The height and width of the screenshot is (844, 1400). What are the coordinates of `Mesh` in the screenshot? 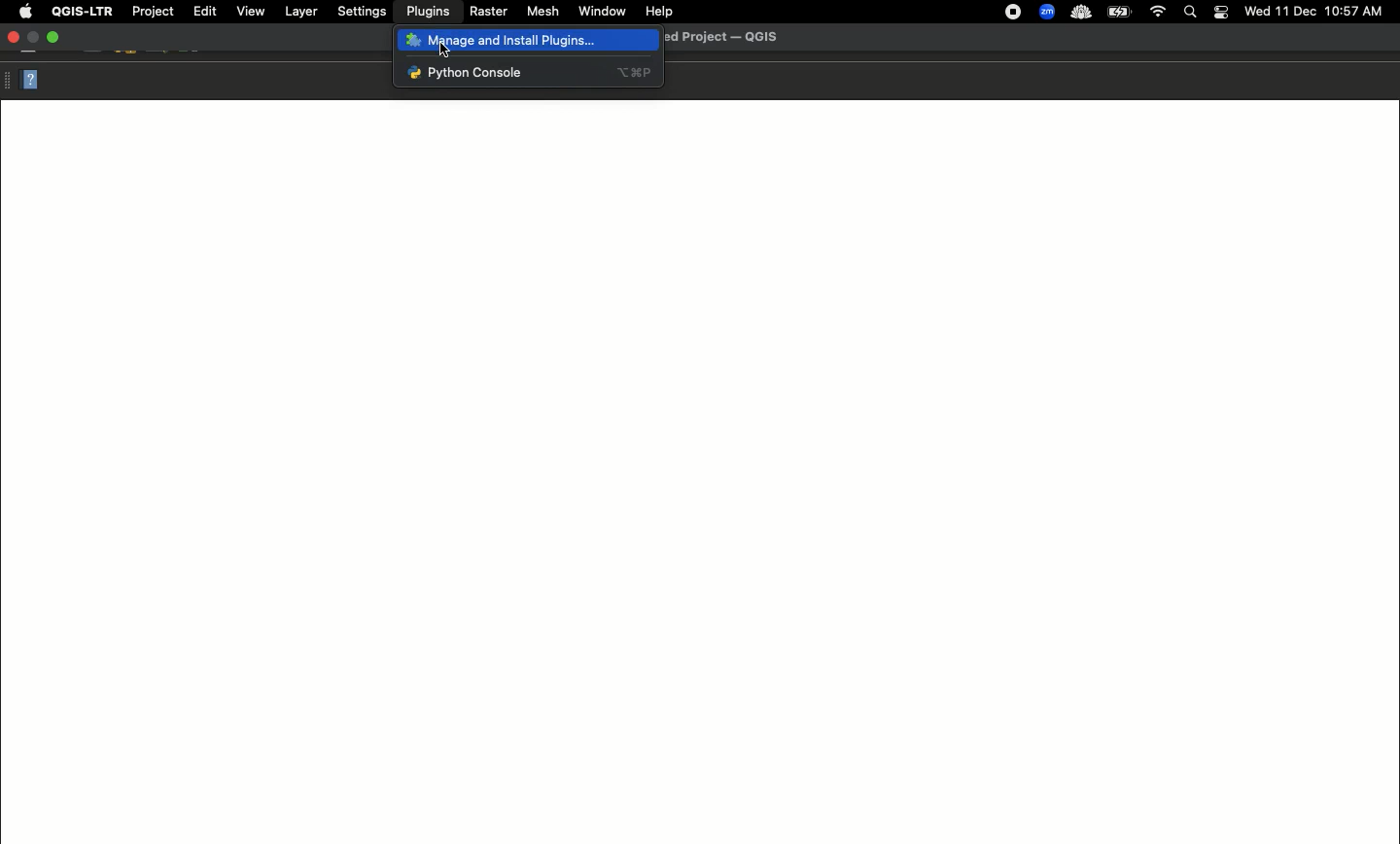 It's located at (543, 13).